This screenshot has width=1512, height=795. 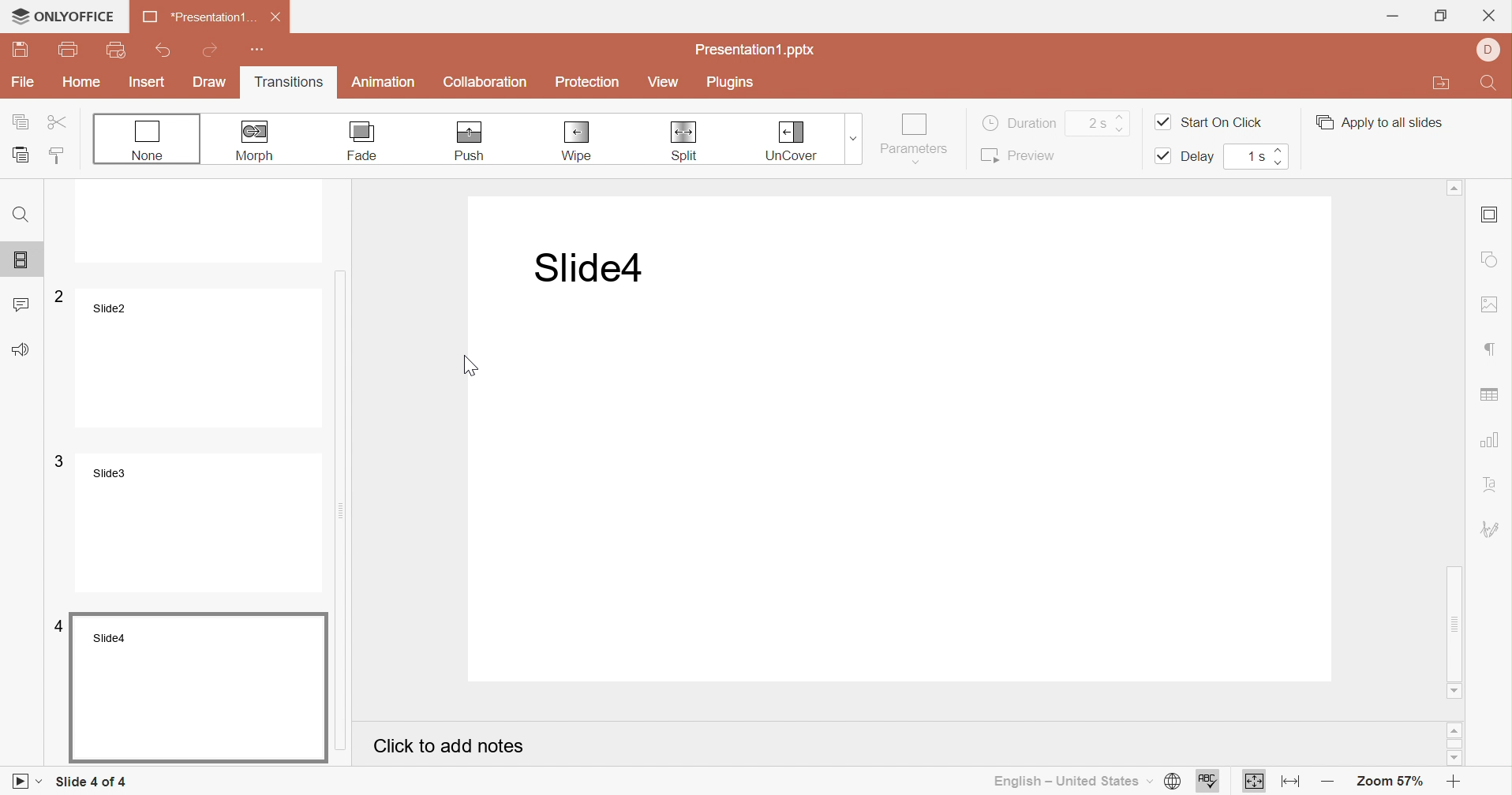 What do you see at coordinates (1333, 779) in the screenshot?
I see `Zoom out` at bounding box center [1333, 779].